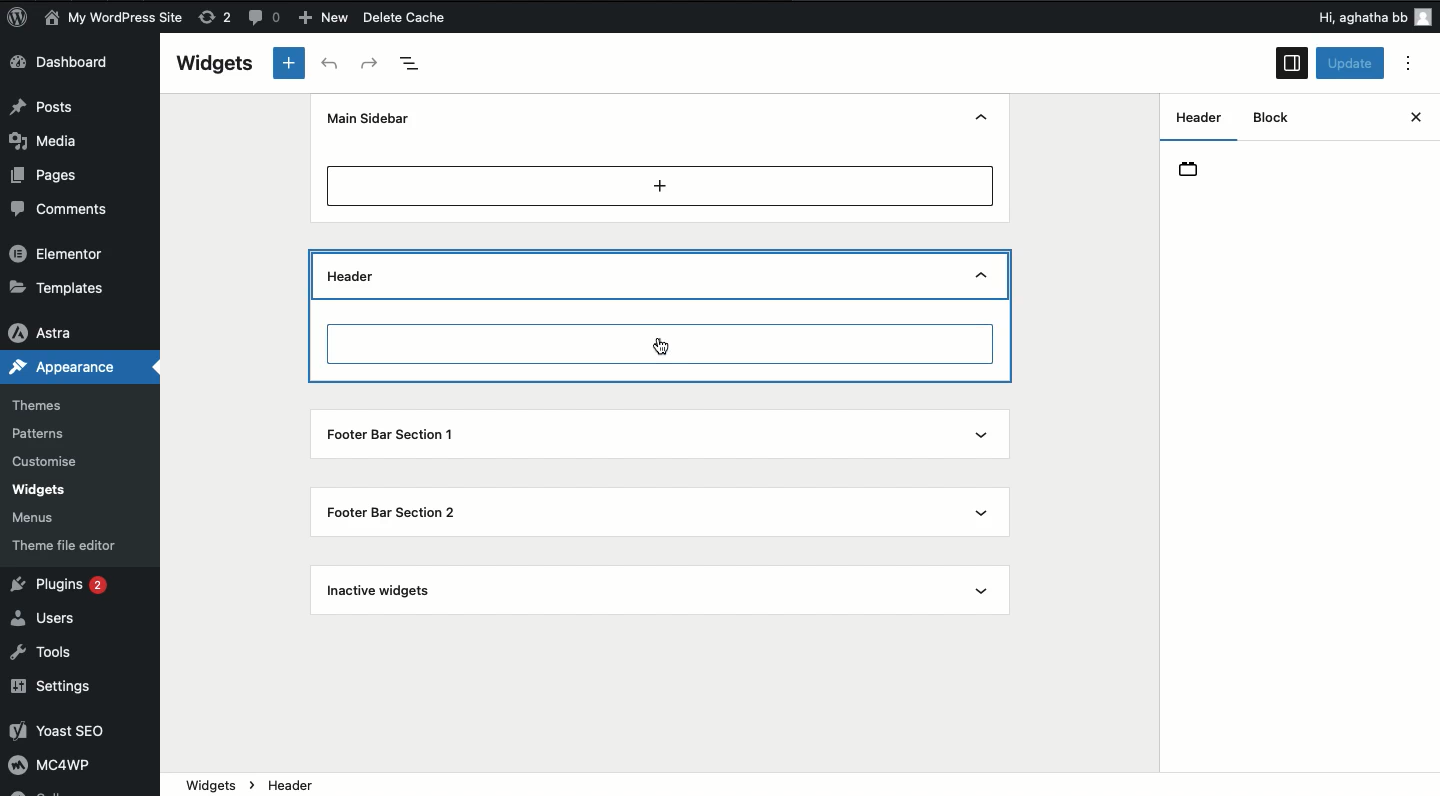 This screenshot has height=796, width=1440. What do you see at coordinates (63, 209) in the screenshot?
I see `Comments` at bounding box center [63, 209].